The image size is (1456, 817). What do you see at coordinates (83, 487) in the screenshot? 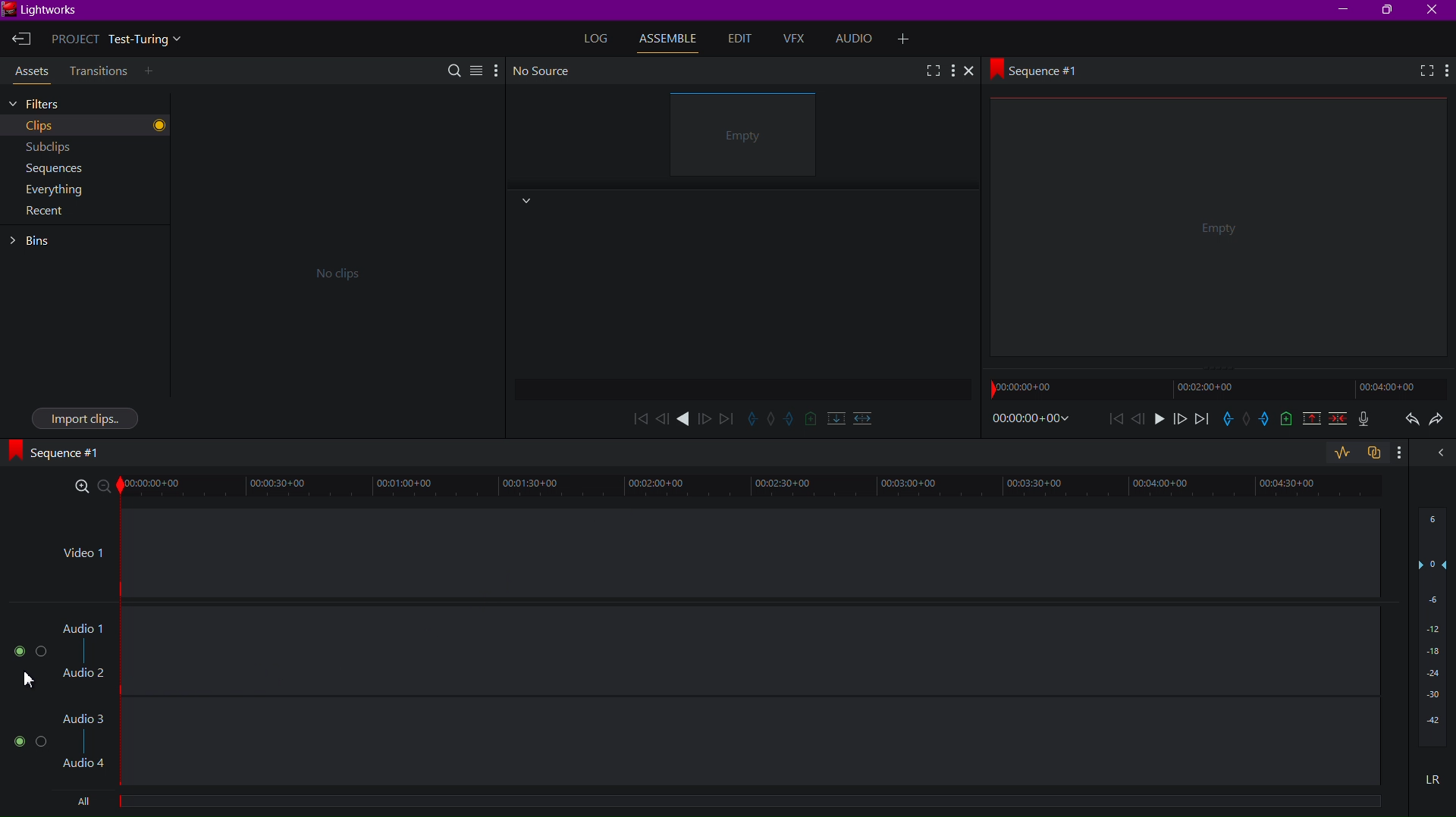
I see `Zoom In` at bounding box center [83, 487].